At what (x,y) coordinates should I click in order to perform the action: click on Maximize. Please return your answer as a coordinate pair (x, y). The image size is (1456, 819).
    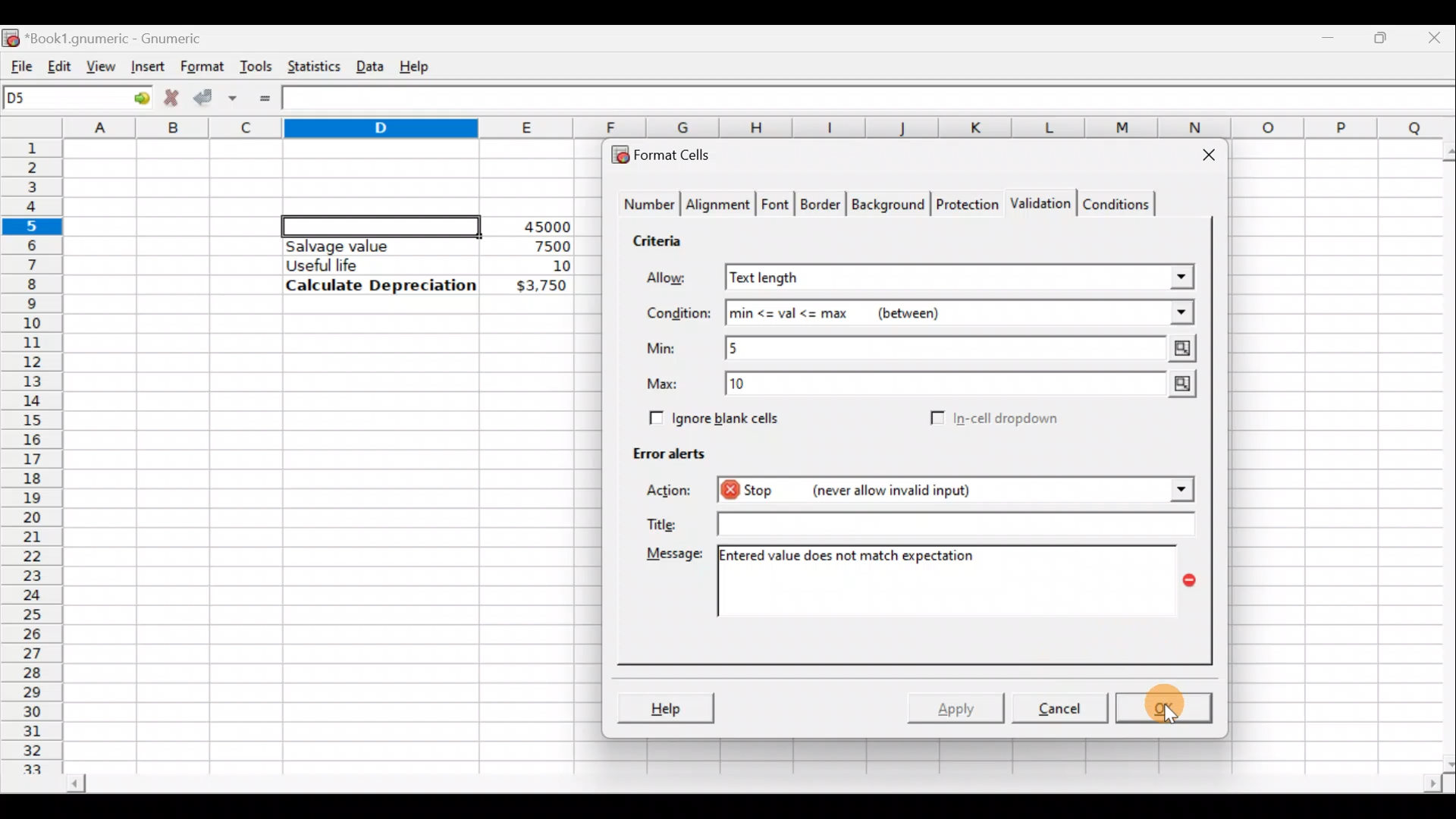
    Looking at the image, I should click on (1384, 35).